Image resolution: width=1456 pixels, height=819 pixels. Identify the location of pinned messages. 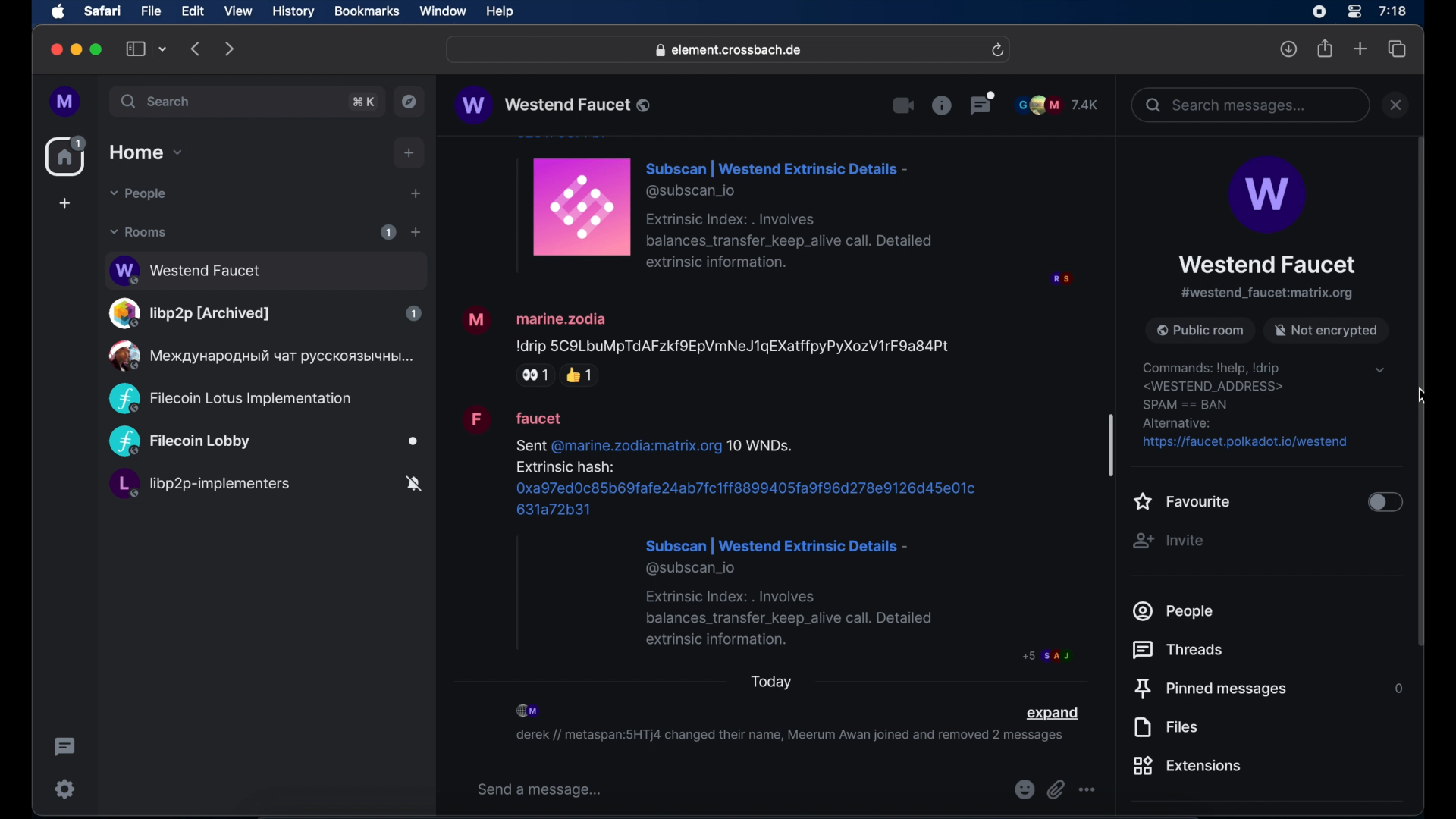
(1212, 689).